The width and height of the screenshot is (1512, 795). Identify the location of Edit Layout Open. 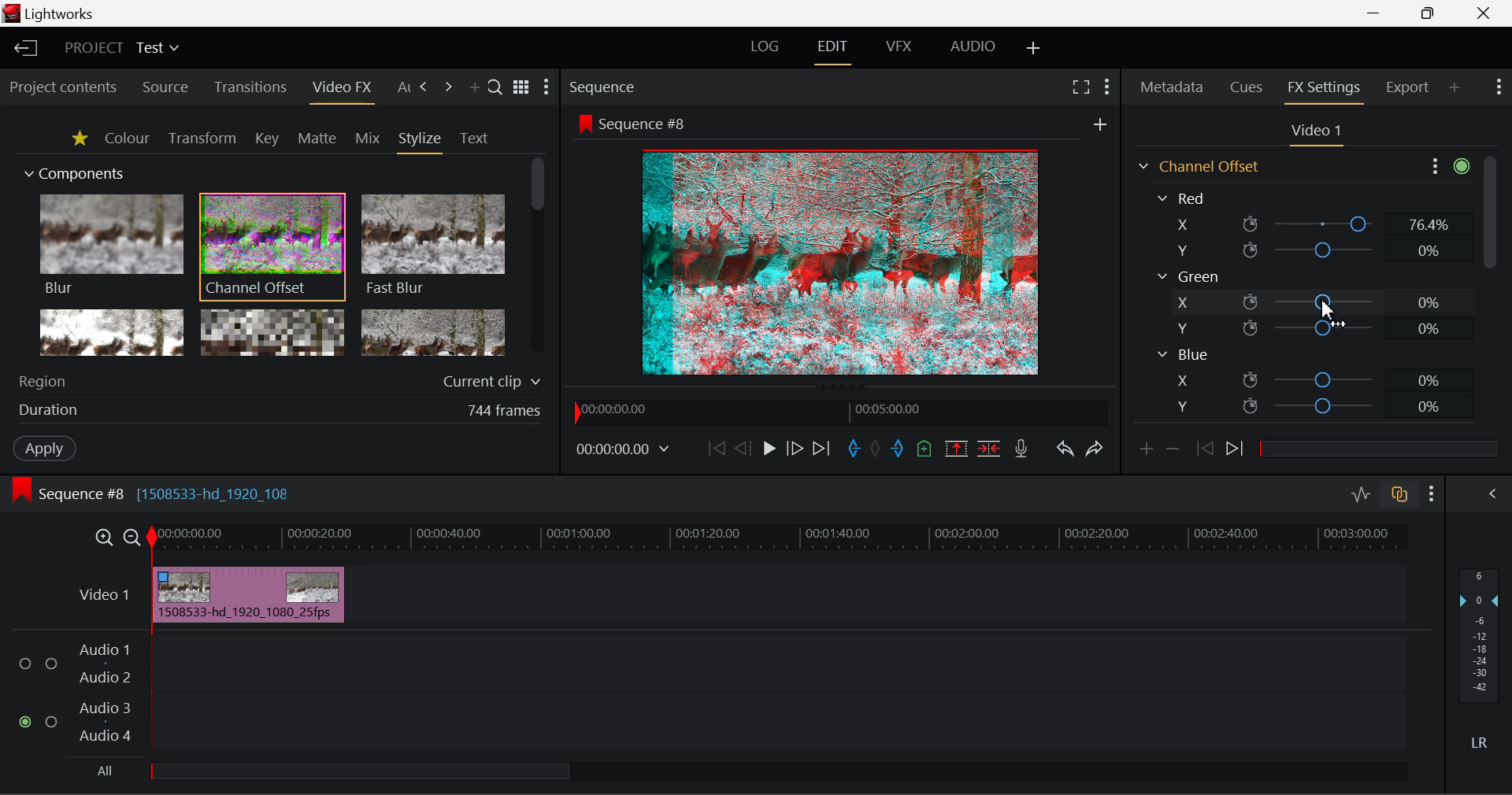
(832, 52).